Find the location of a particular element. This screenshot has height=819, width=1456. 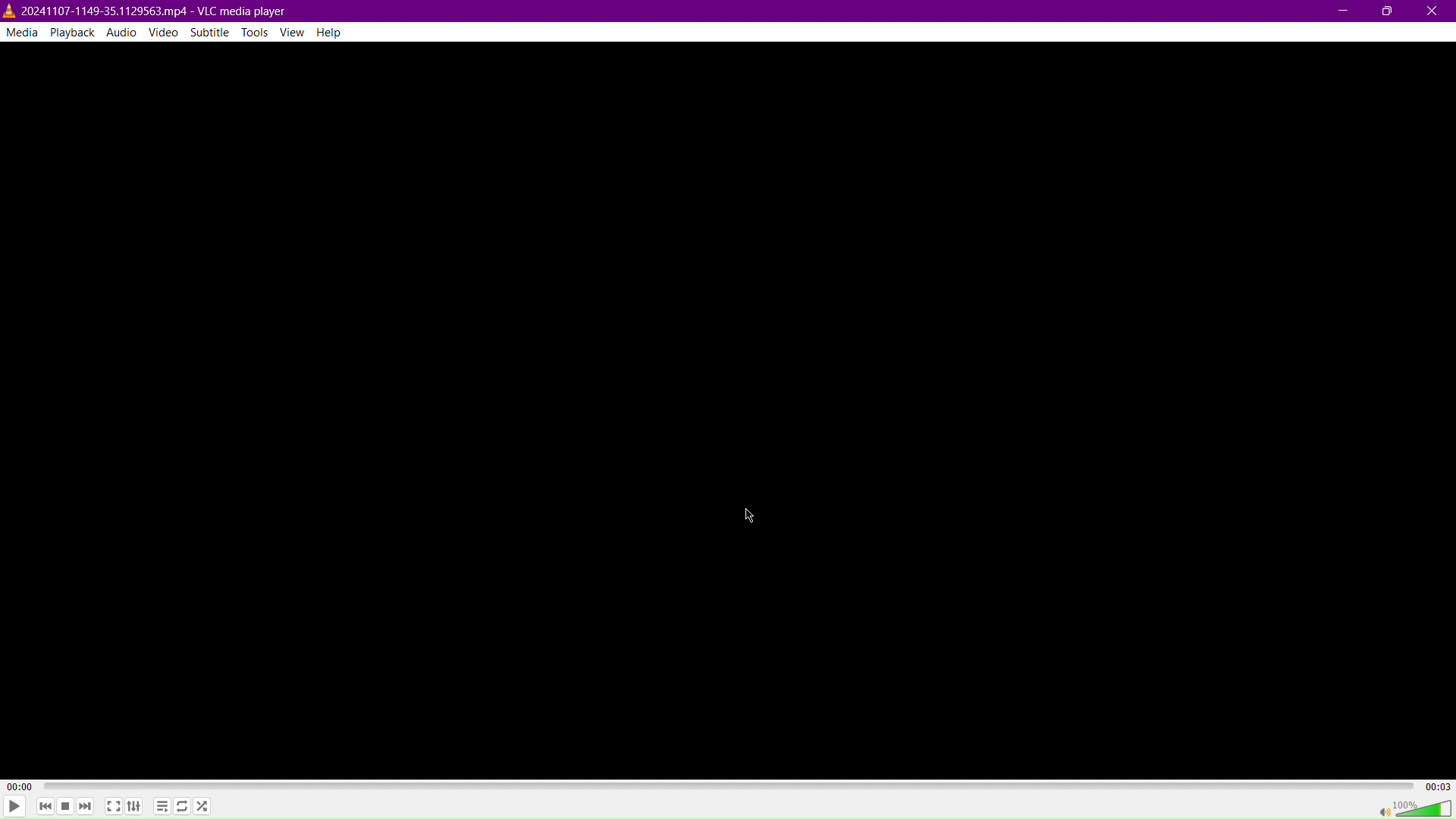

Toggle Loop is located at coordinates (182, 807).